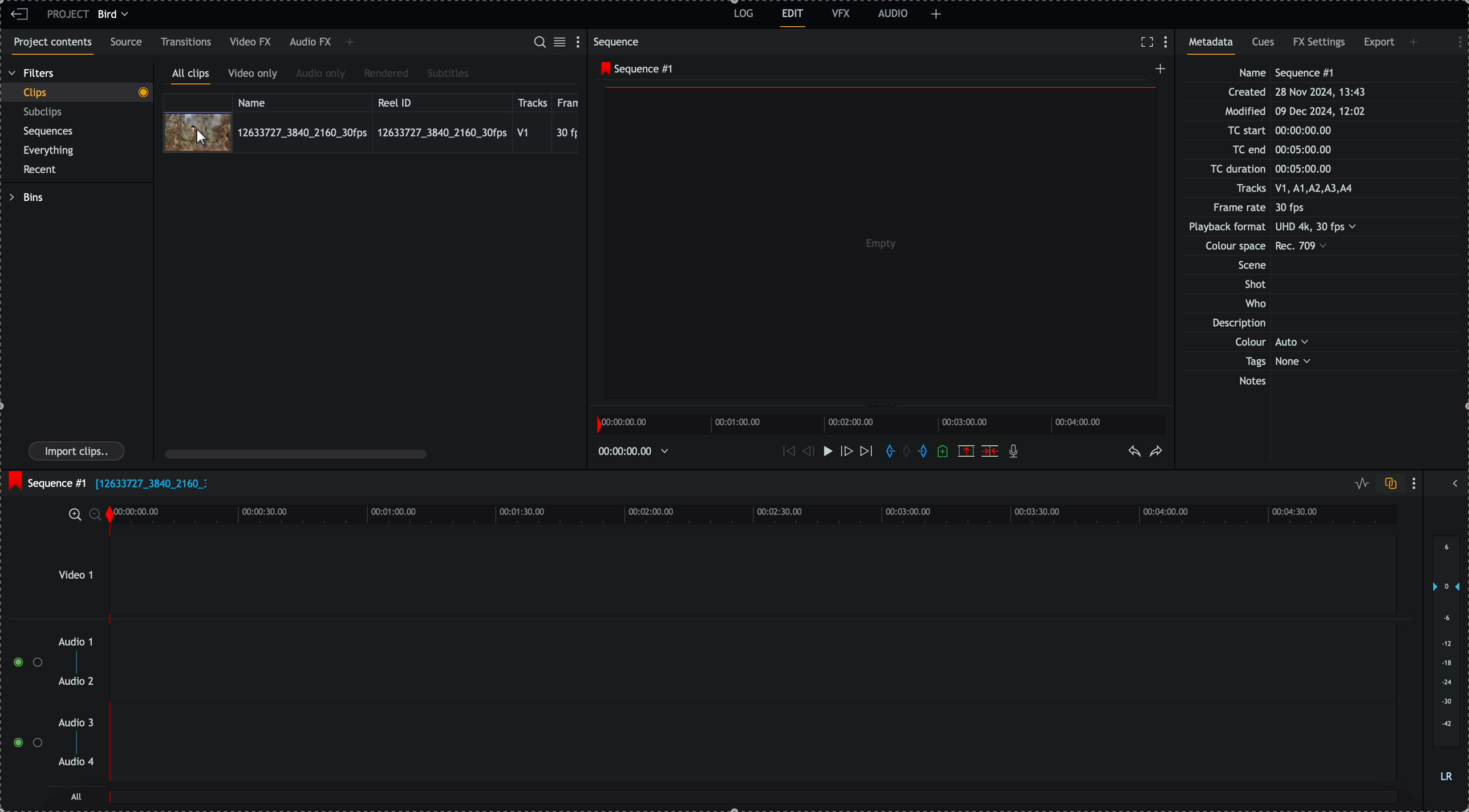 The width and height of the screenshot is (1469, 812). I want to click on reel ID, so click(441, 100).